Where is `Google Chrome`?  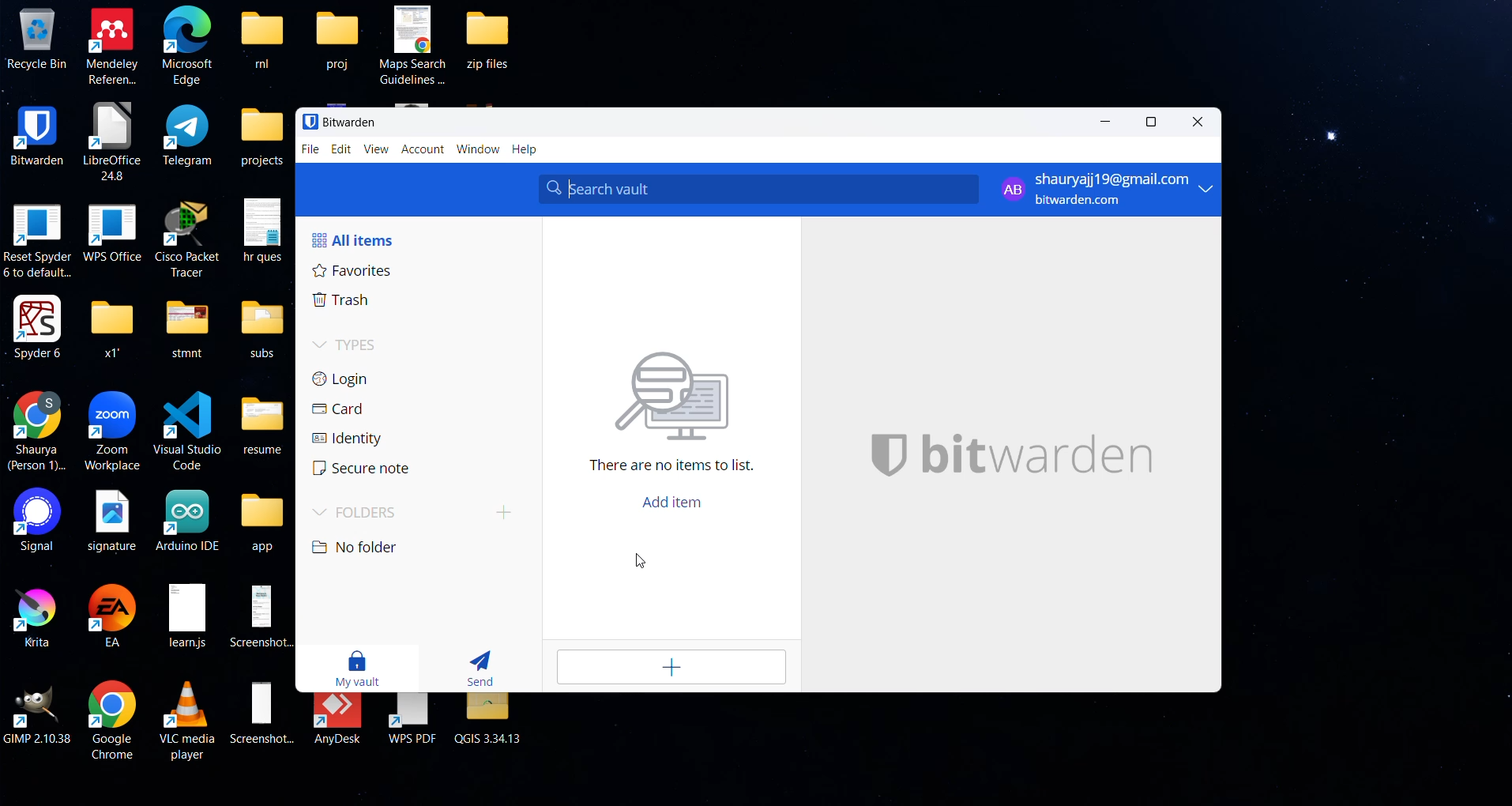 Google Chrome is located at coordinates (111, 720).